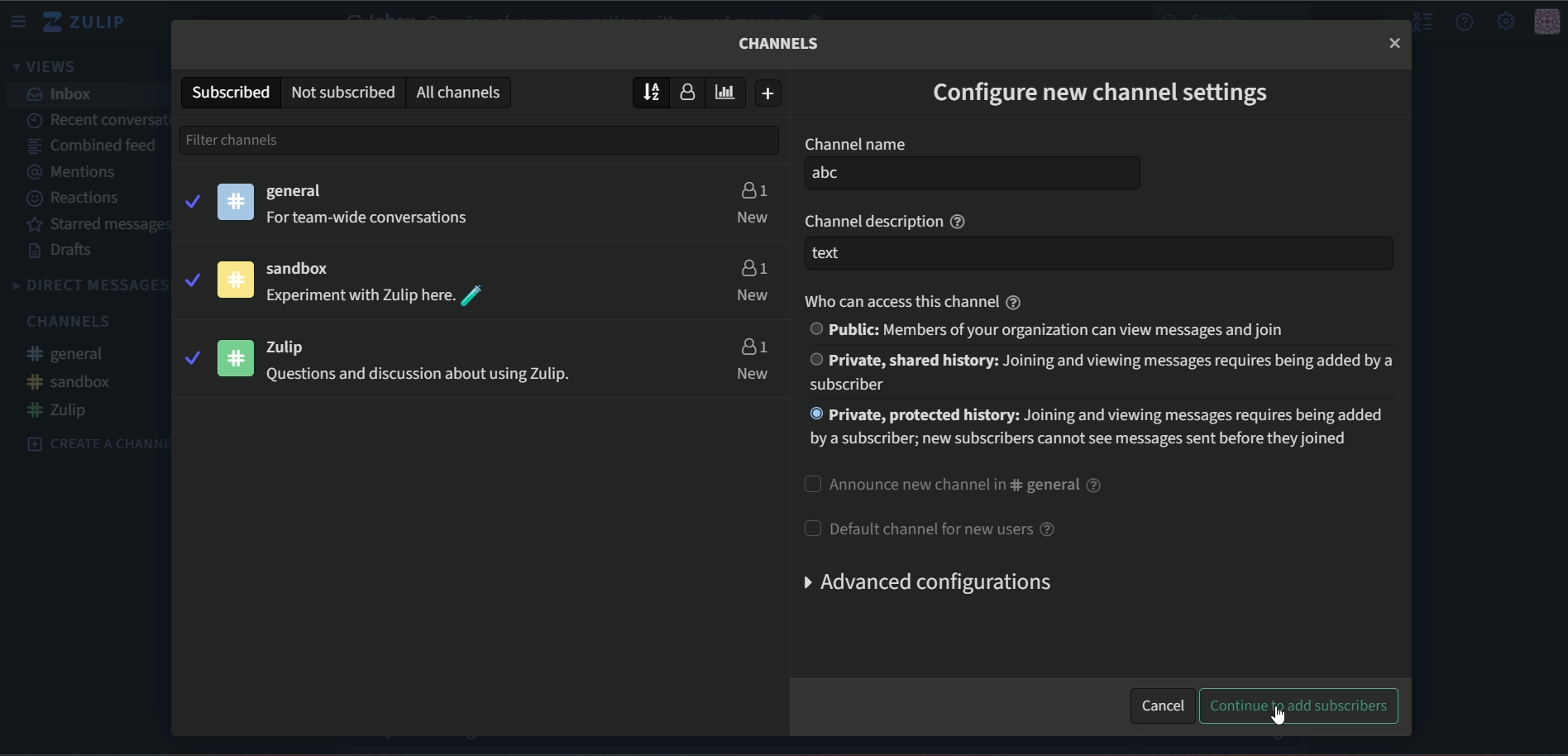  What do you see at coordinates (265, 139) in the screenshot?
I see `filter channels` at bounding box center [265, 139].